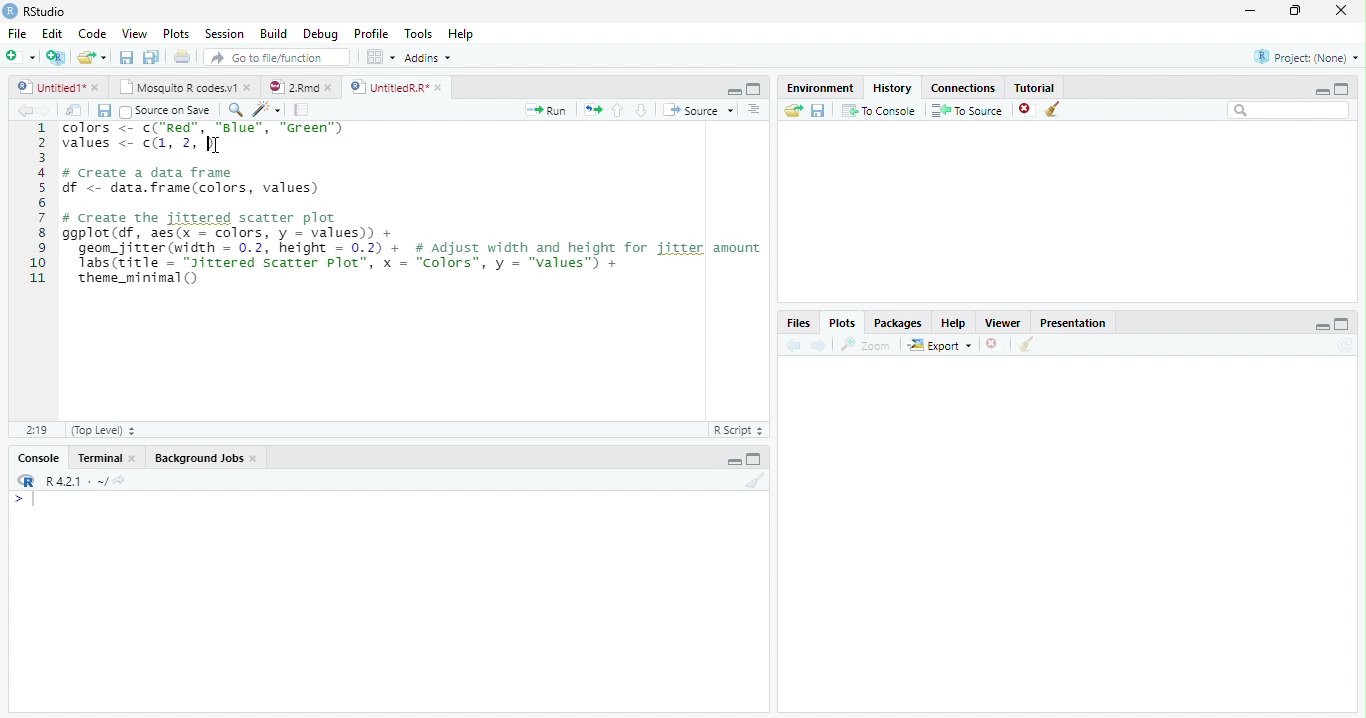  What do you see at coordinates (754, 481) in the screenshot?
I see `Clear console` at bounding box center [754, 481].